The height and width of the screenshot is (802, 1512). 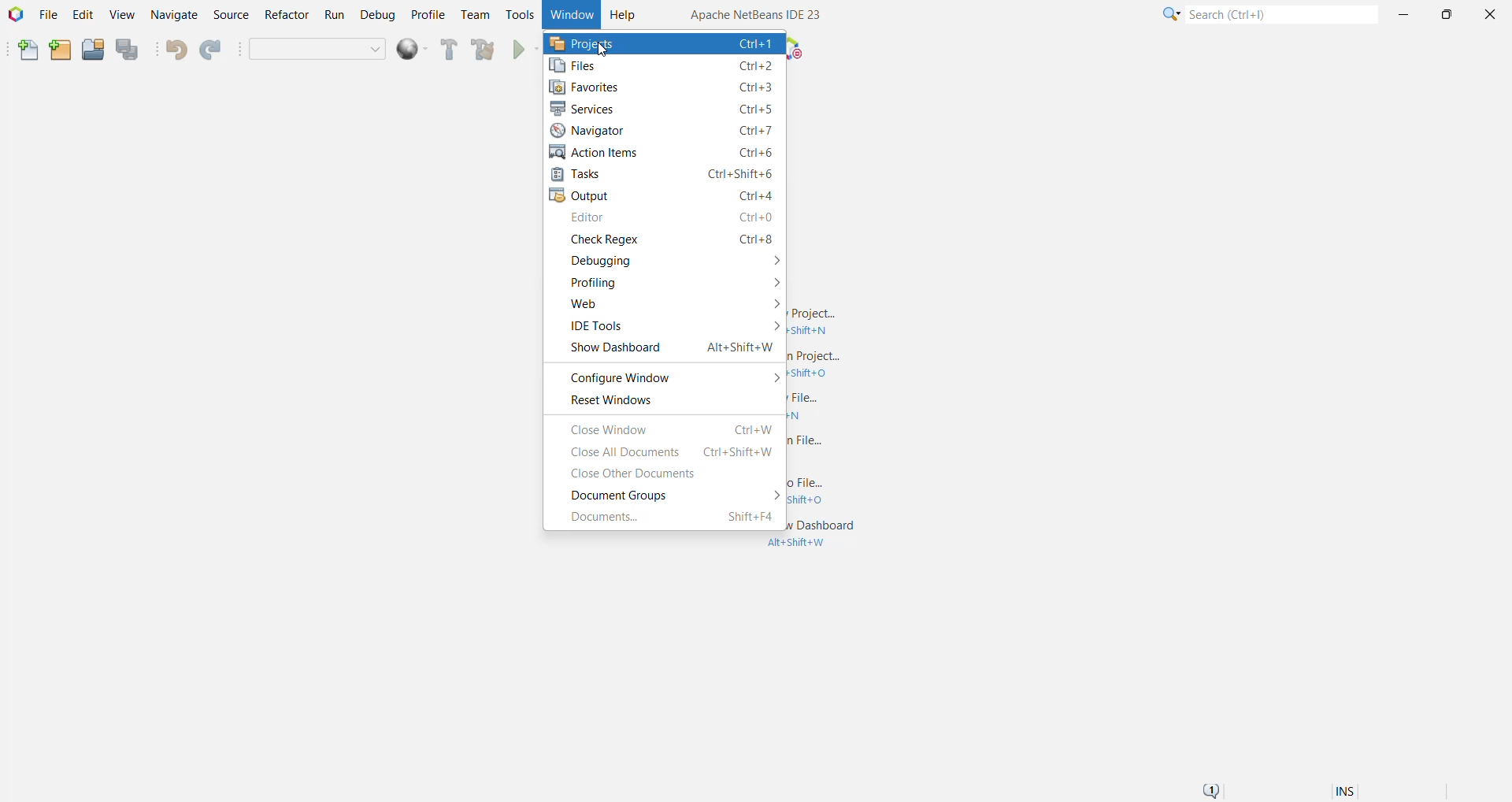 What do you see at coordinates (1167, 17) in the screenshot?
I see `Click for Category Selection` at bounding box center [1167, 17].